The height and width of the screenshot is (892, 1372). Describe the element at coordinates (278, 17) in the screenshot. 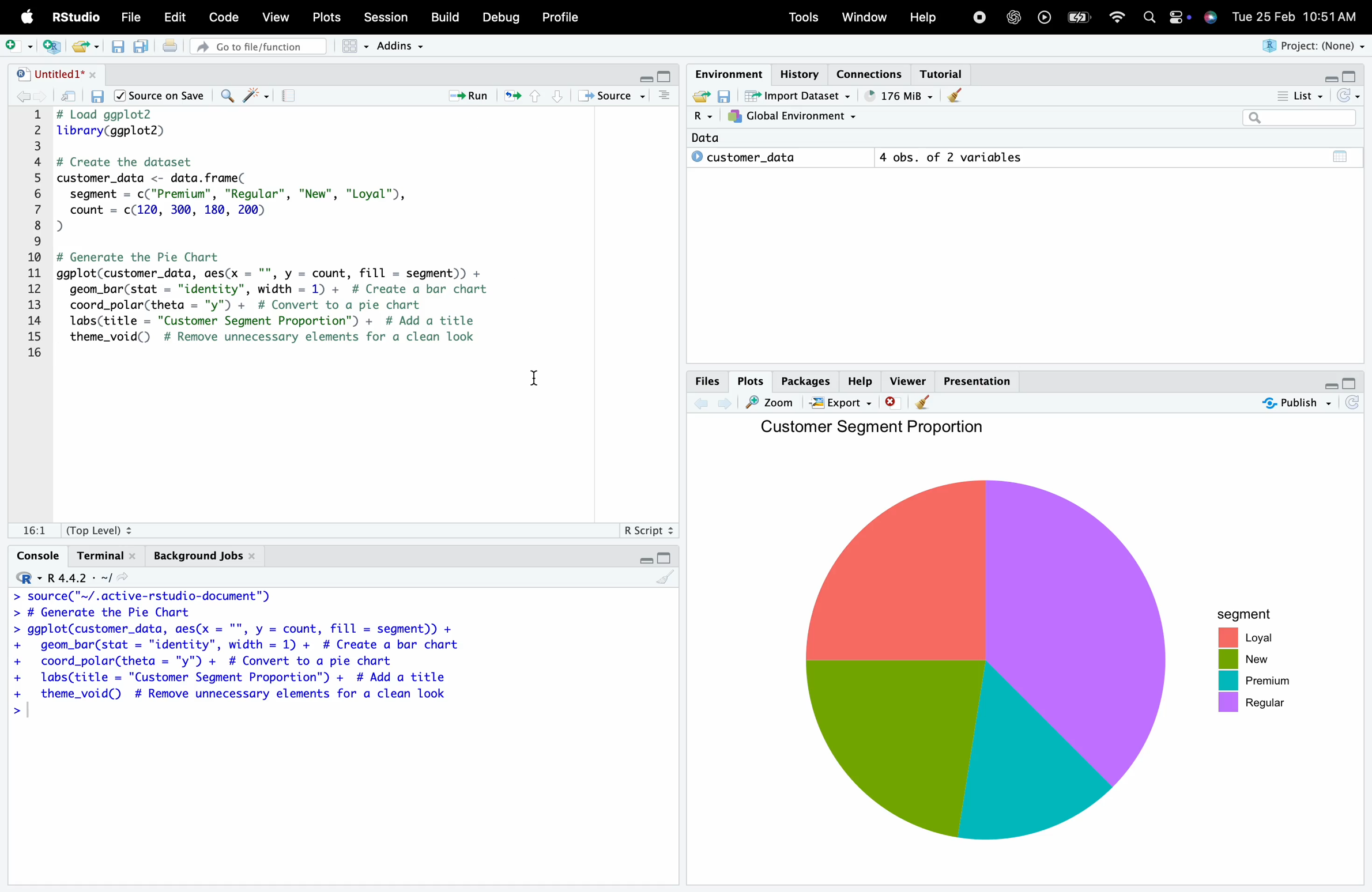

I see `View` at that location.